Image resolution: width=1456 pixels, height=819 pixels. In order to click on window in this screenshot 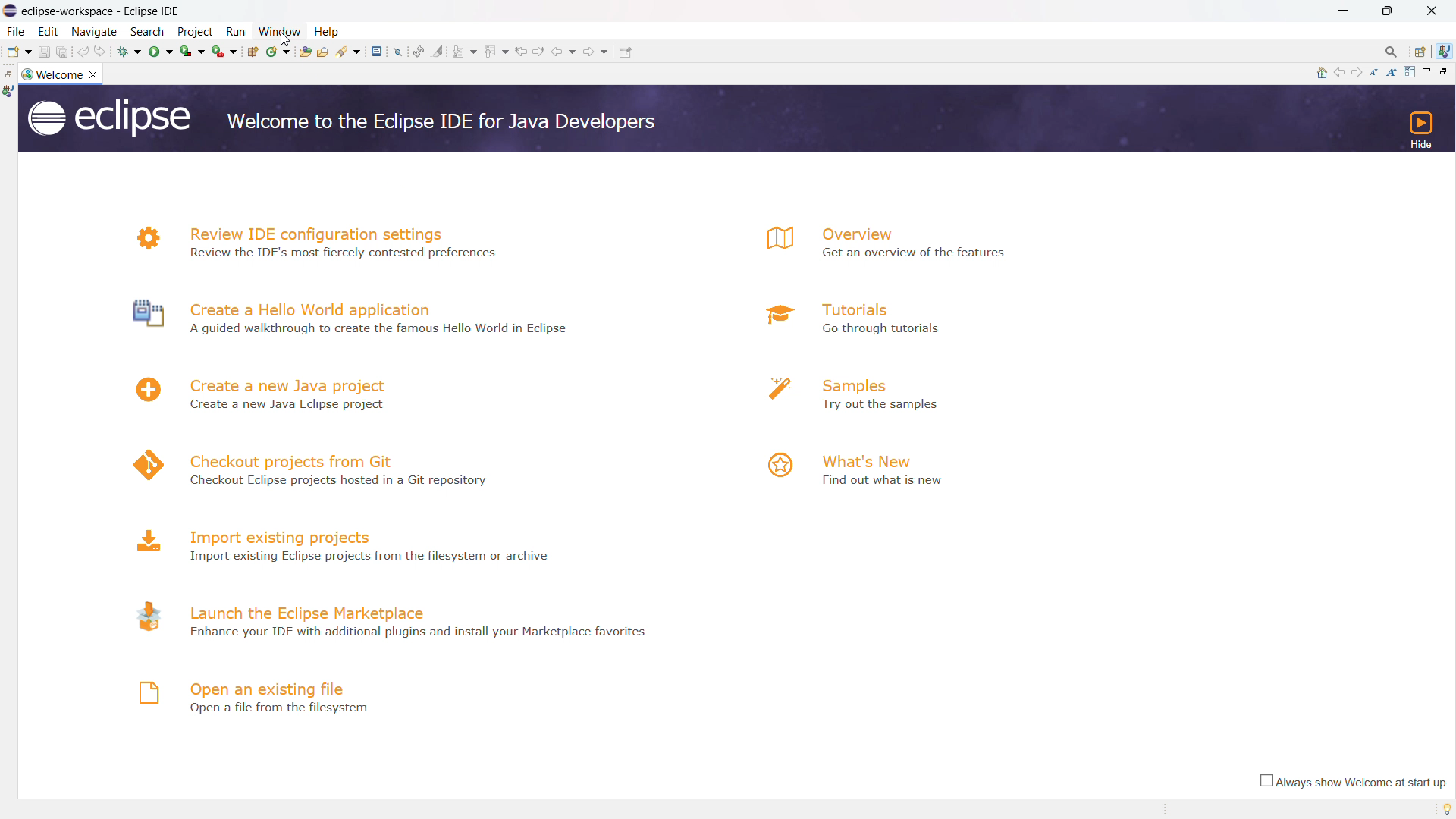, I will do `click(278, 32)`.